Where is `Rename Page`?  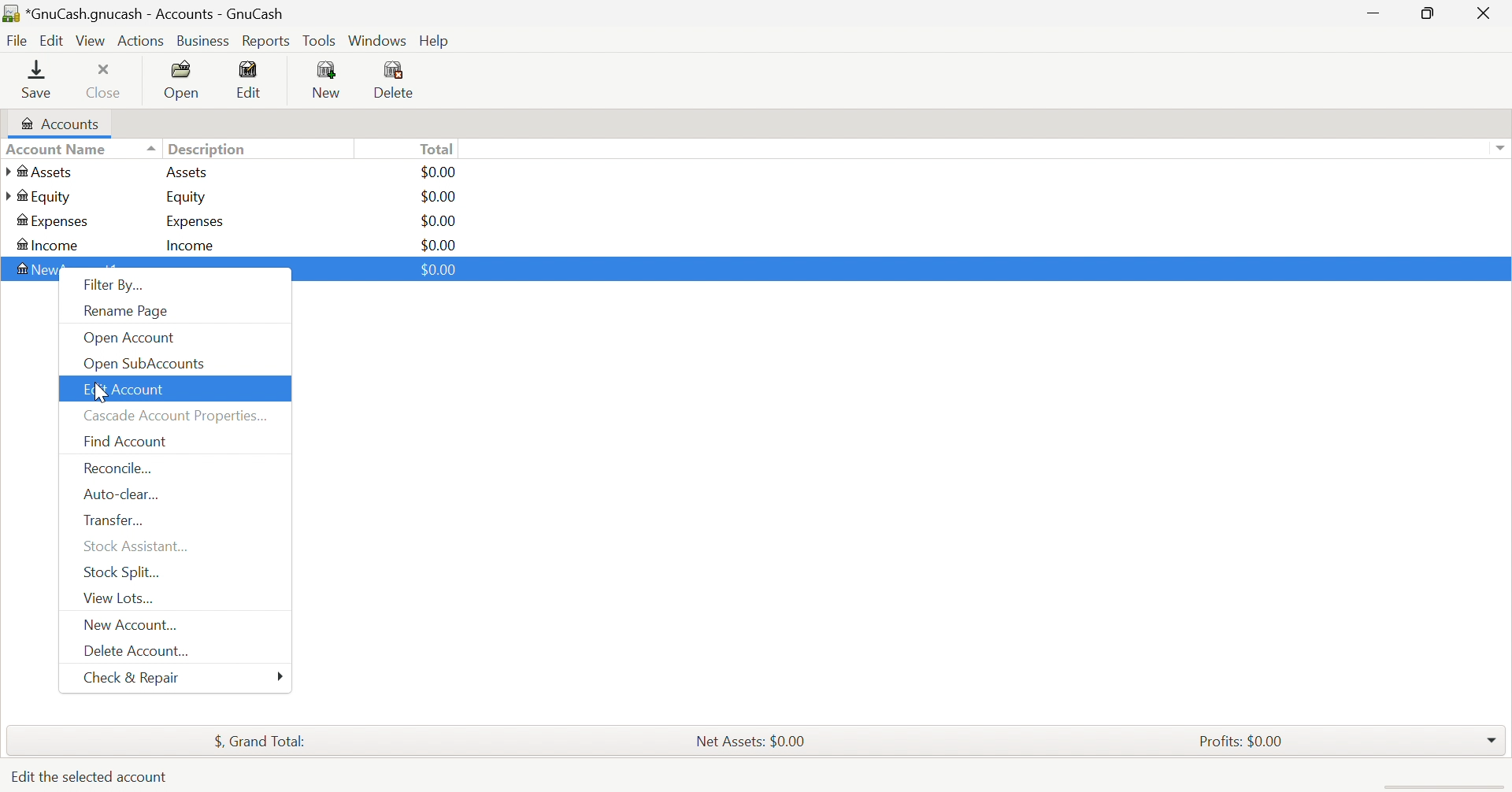 Rename Page is located at coordinates (128, 310).